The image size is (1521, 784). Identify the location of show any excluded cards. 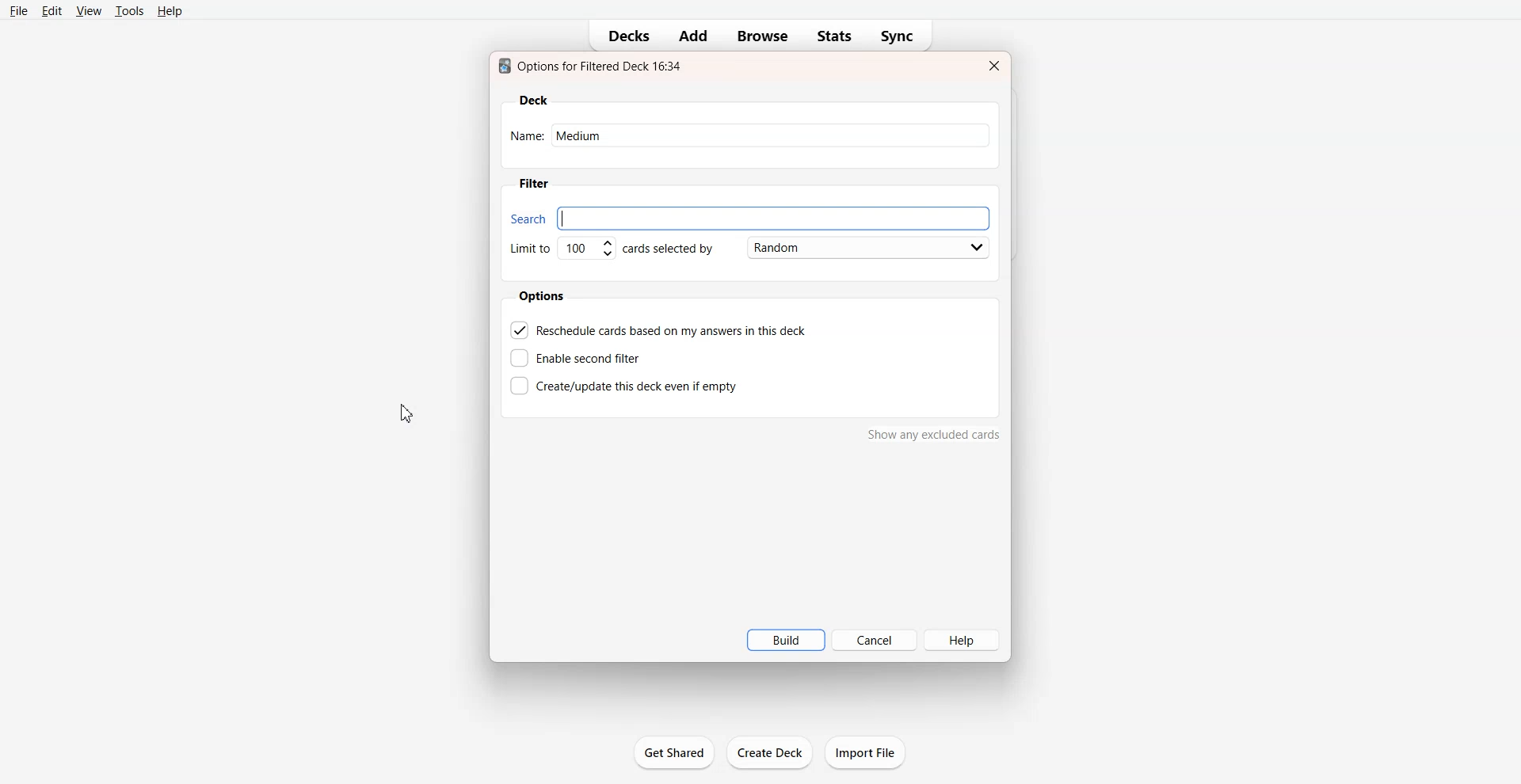
(934, 438).